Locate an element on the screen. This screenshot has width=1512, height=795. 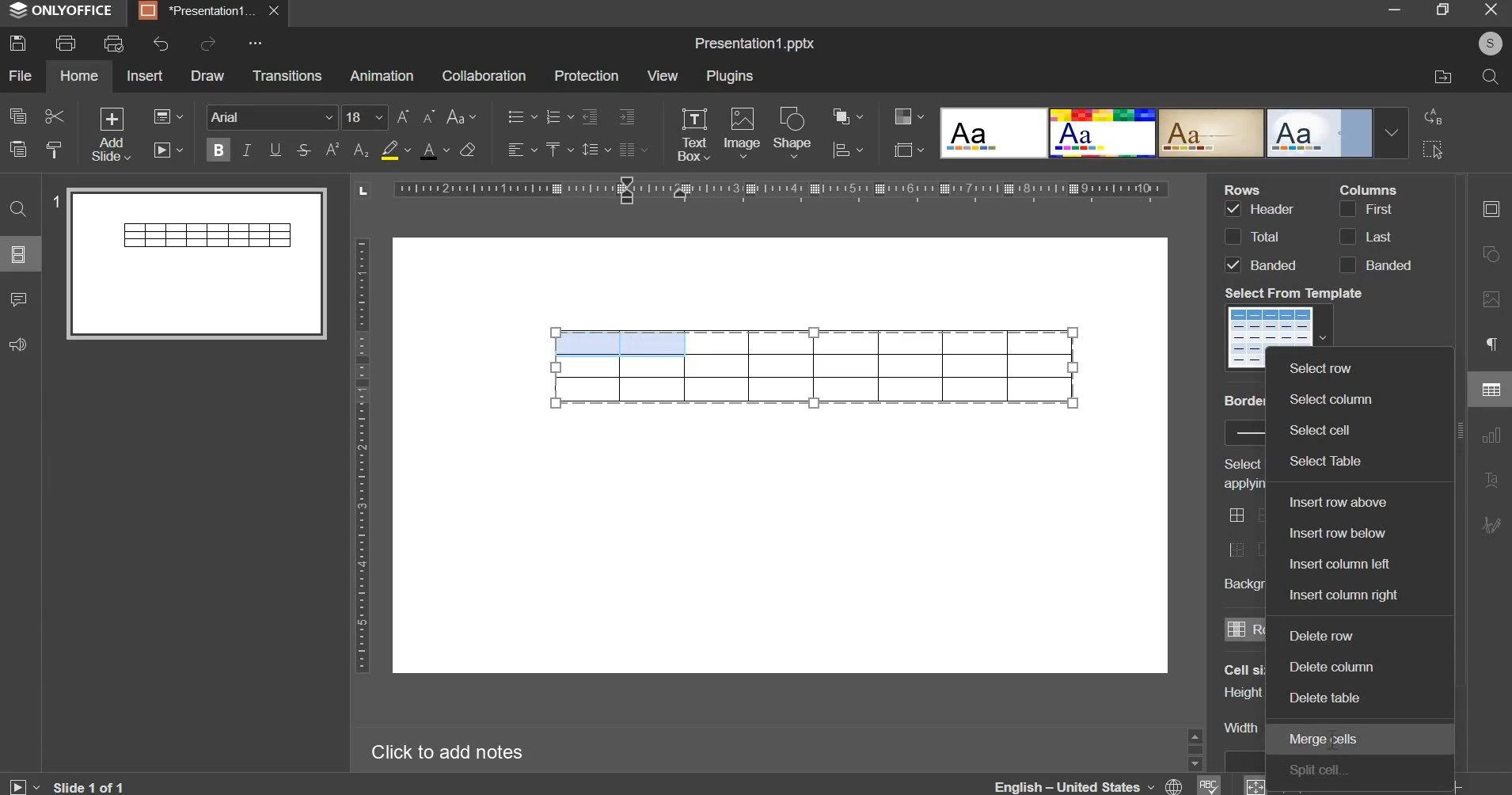
arrange object is located at coordinates (847, 116).